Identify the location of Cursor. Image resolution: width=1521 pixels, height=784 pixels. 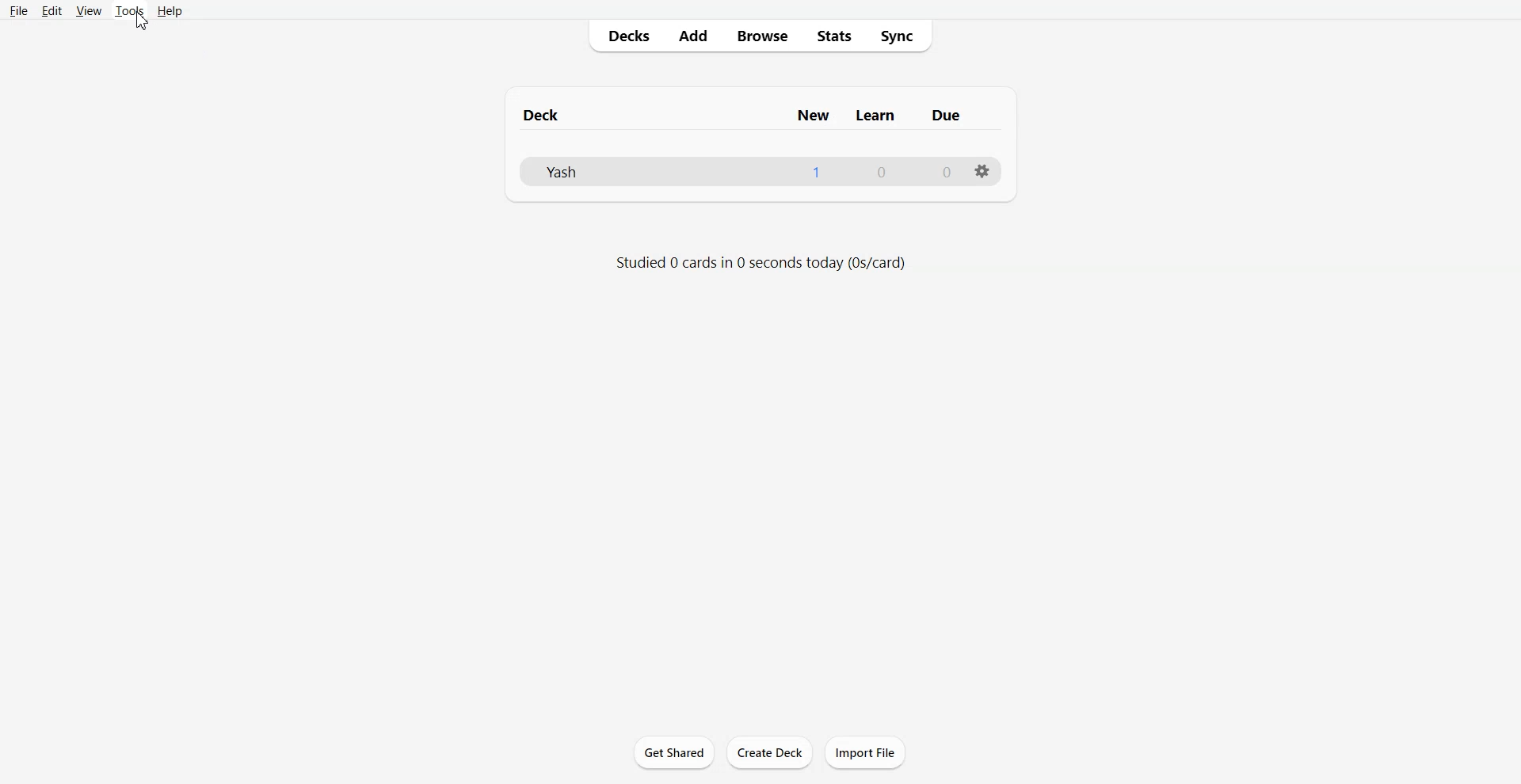
(144, 25).